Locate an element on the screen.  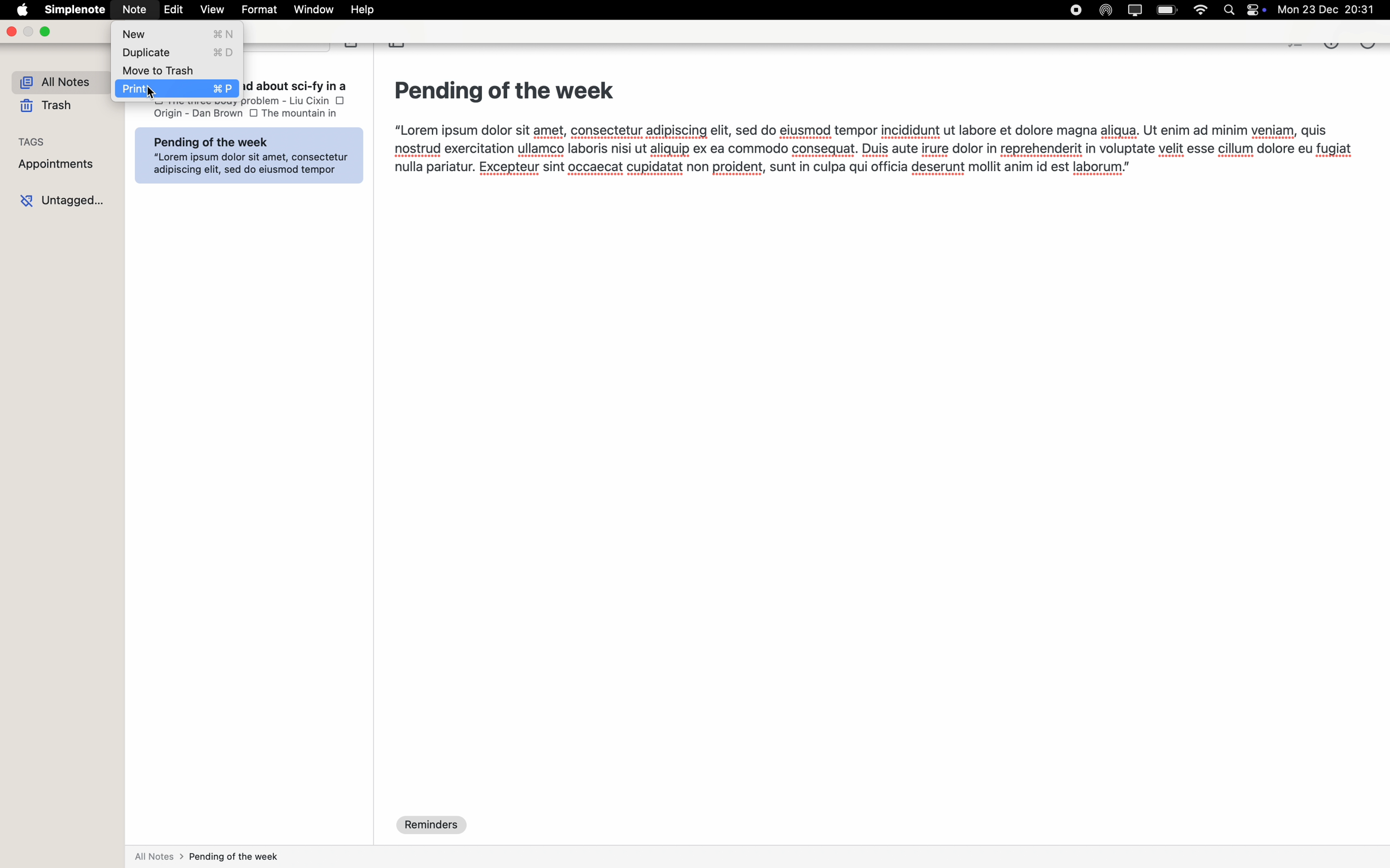
checkbox list is located at coordinates (1292, 49).